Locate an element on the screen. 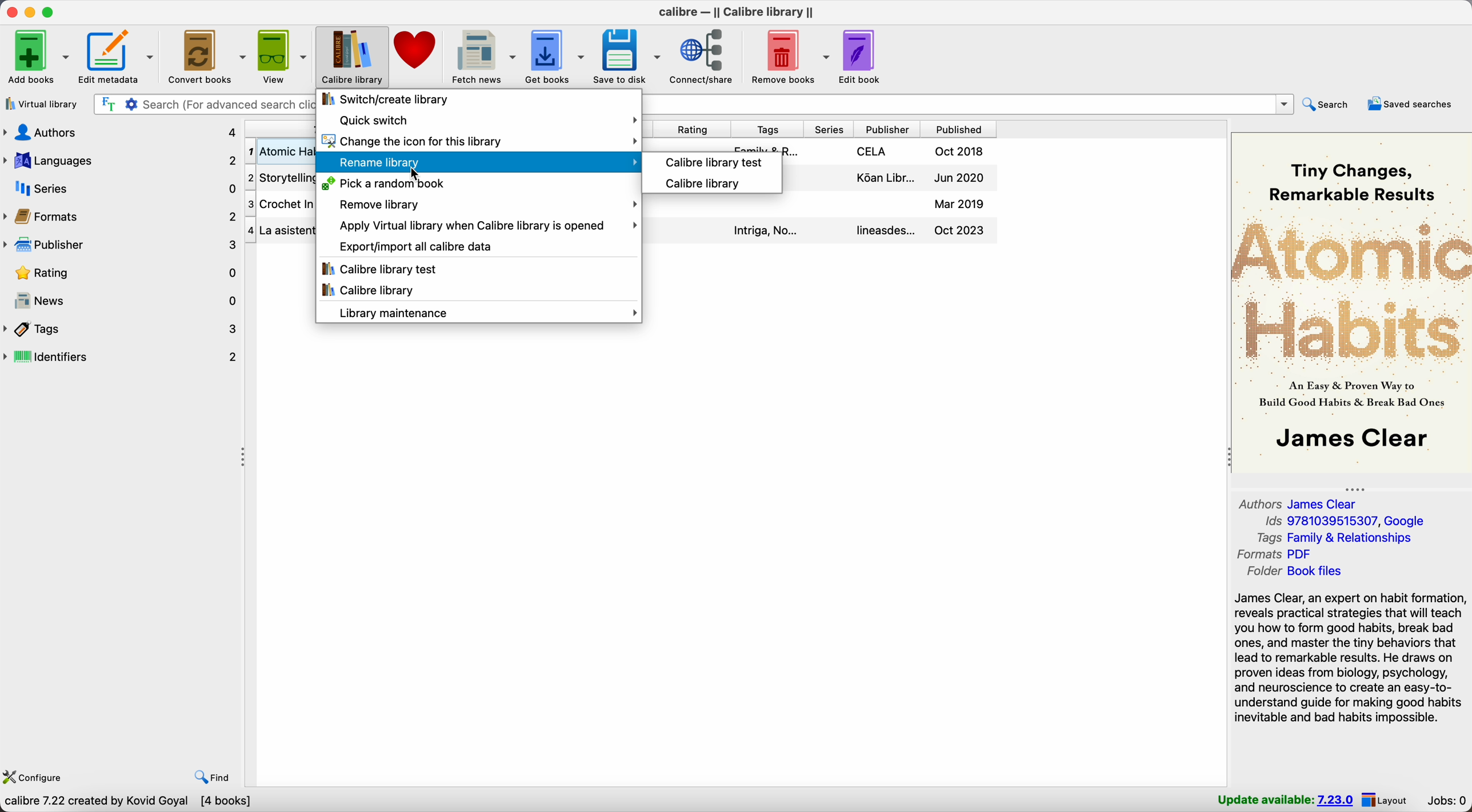 The image size is (1472, 812). Atomic Habits details book is located at coordinates (821, 146).